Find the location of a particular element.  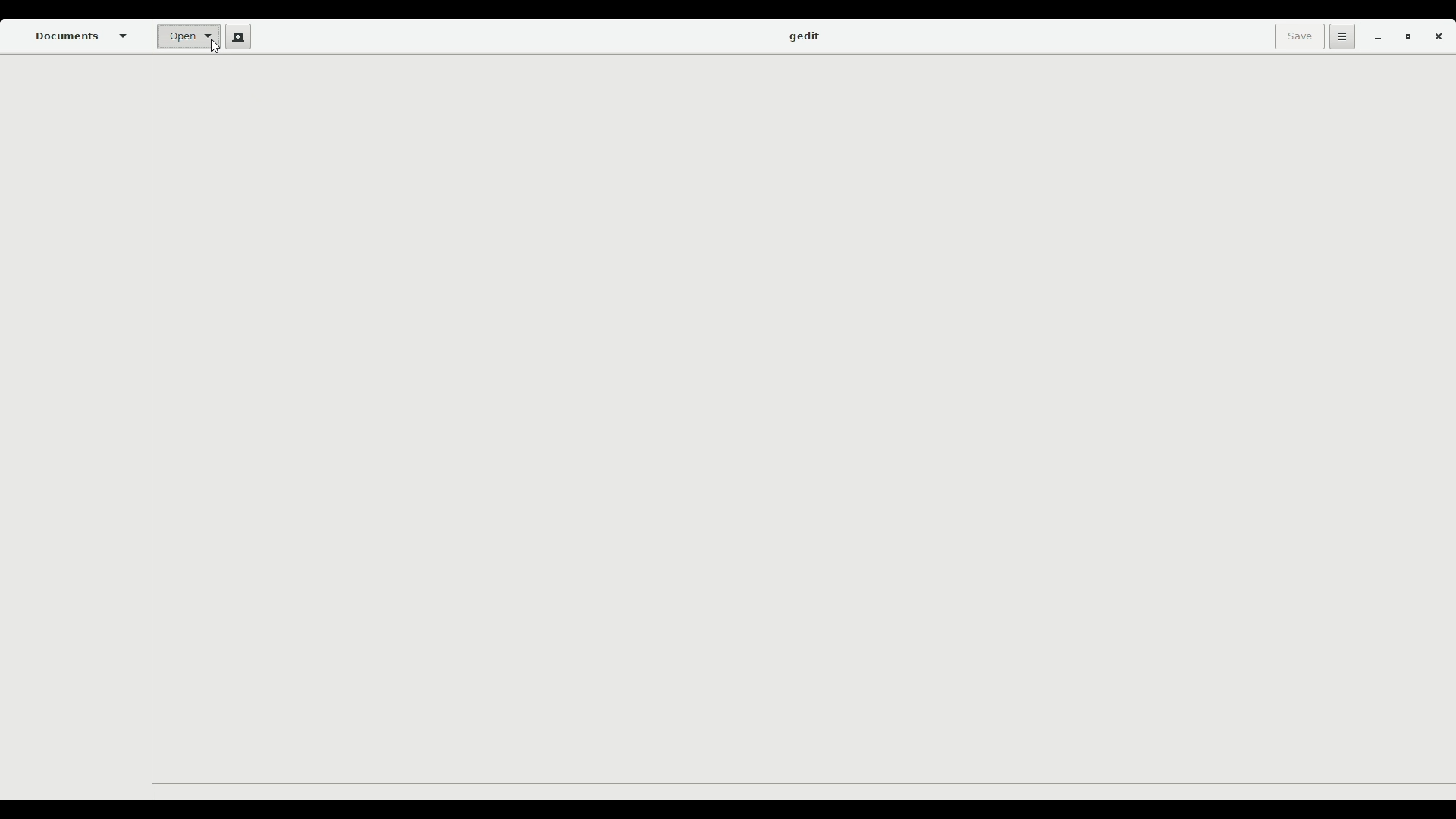

Save is located at coordinates (1296, 36).